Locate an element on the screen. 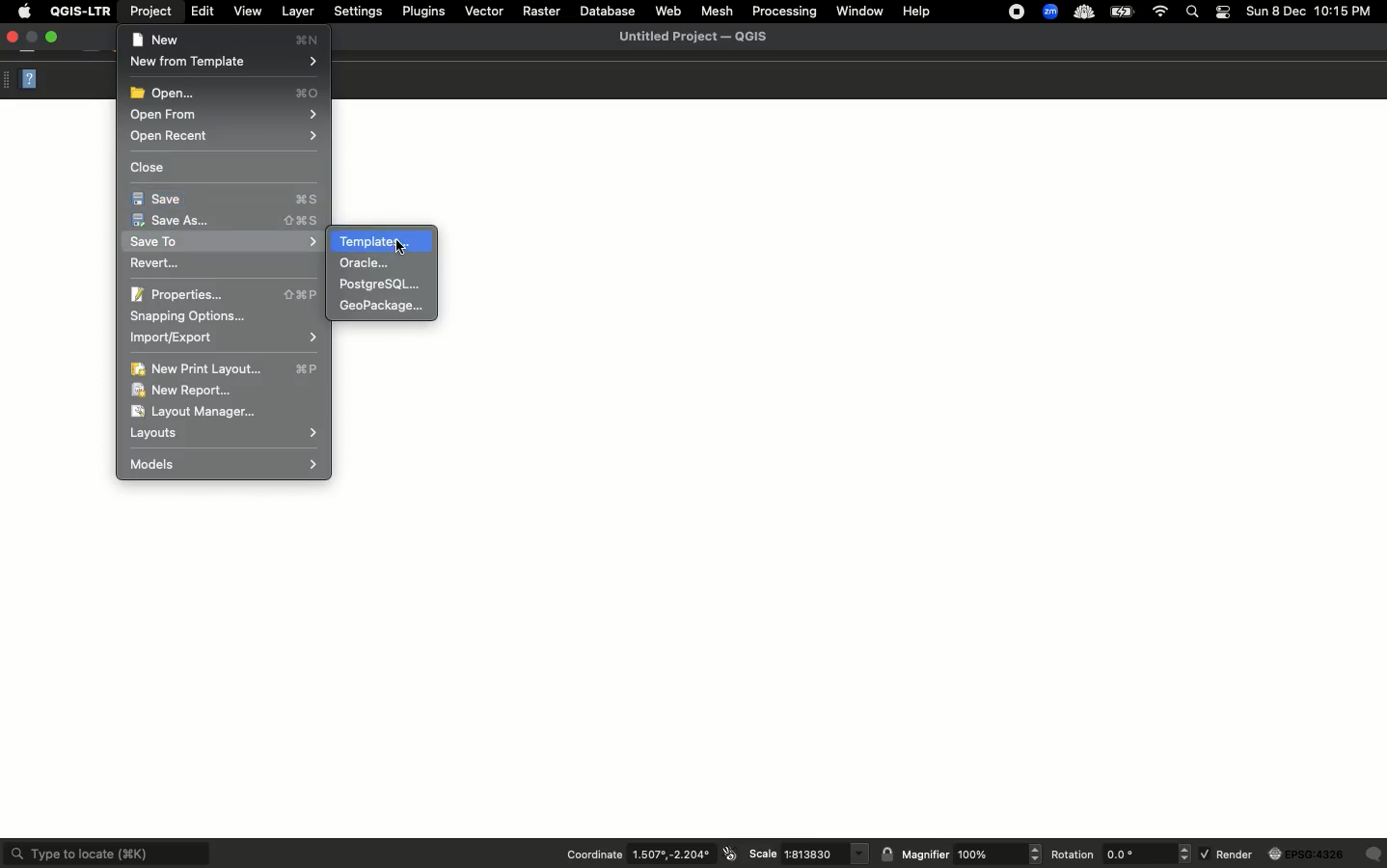  Revert is located at coordinates (151, 265).